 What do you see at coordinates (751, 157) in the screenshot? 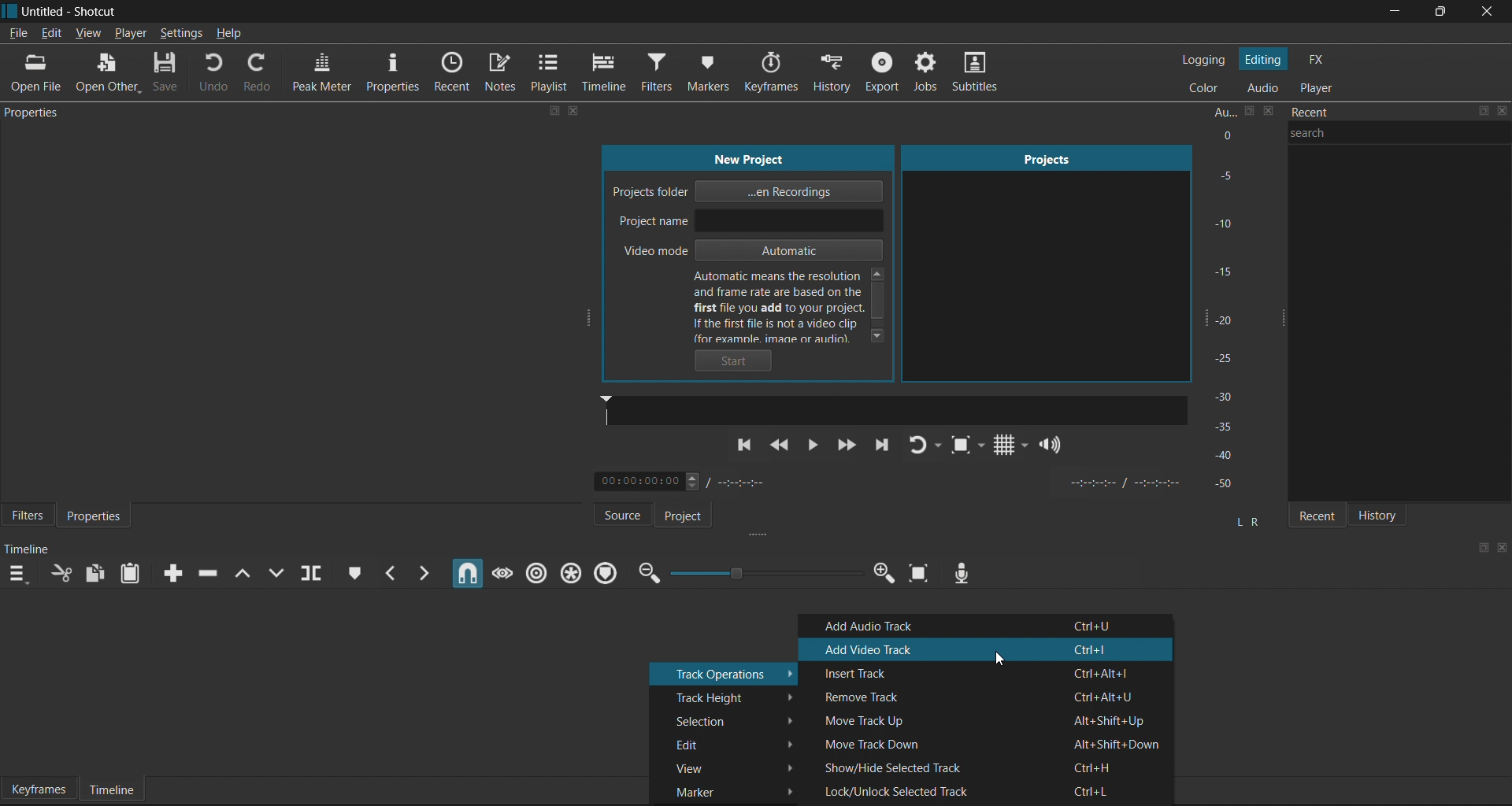
I see `new project ` at bounding box center [751, 157].